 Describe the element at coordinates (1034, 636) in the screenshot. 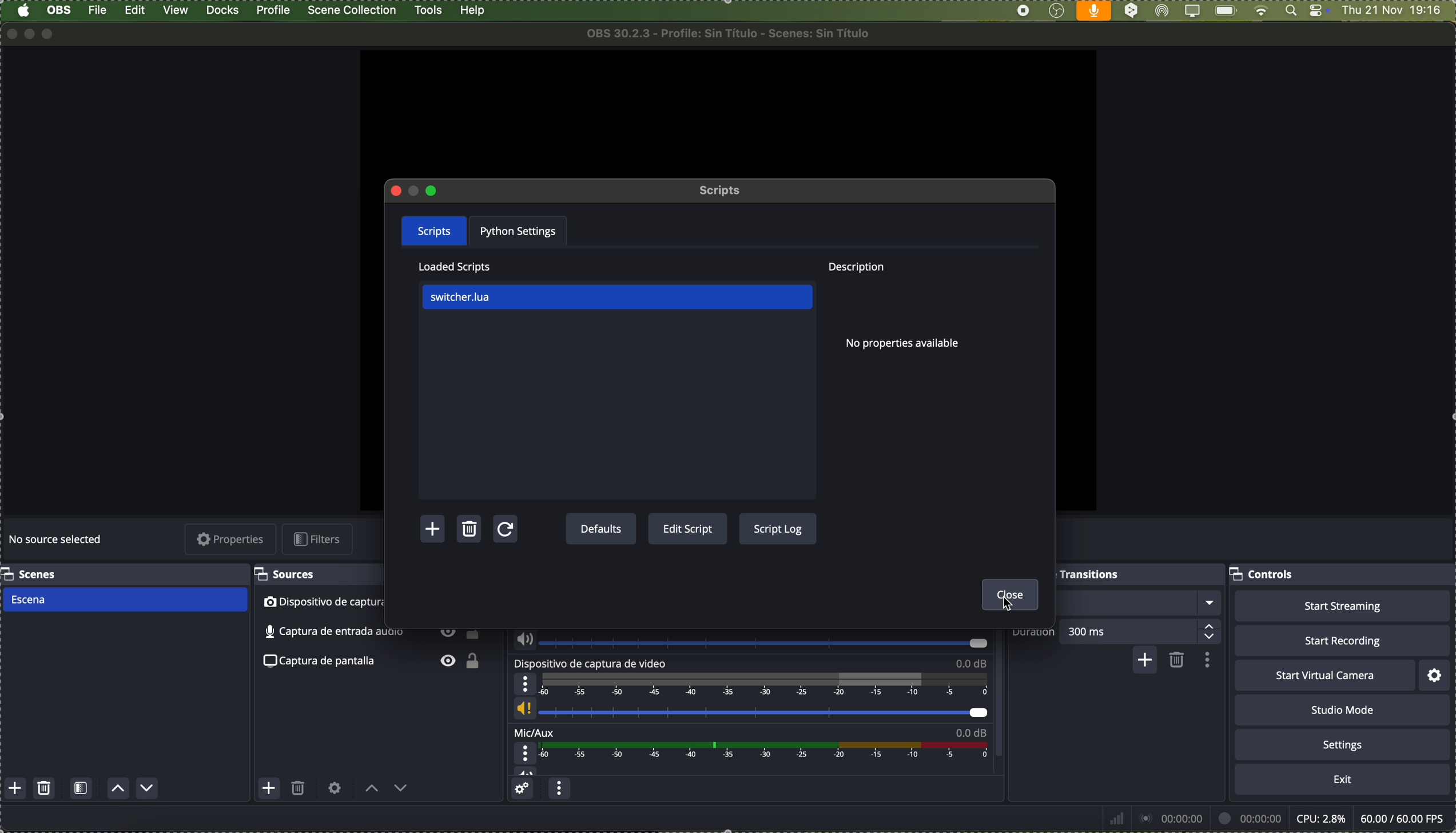

I see `duration` at that location.